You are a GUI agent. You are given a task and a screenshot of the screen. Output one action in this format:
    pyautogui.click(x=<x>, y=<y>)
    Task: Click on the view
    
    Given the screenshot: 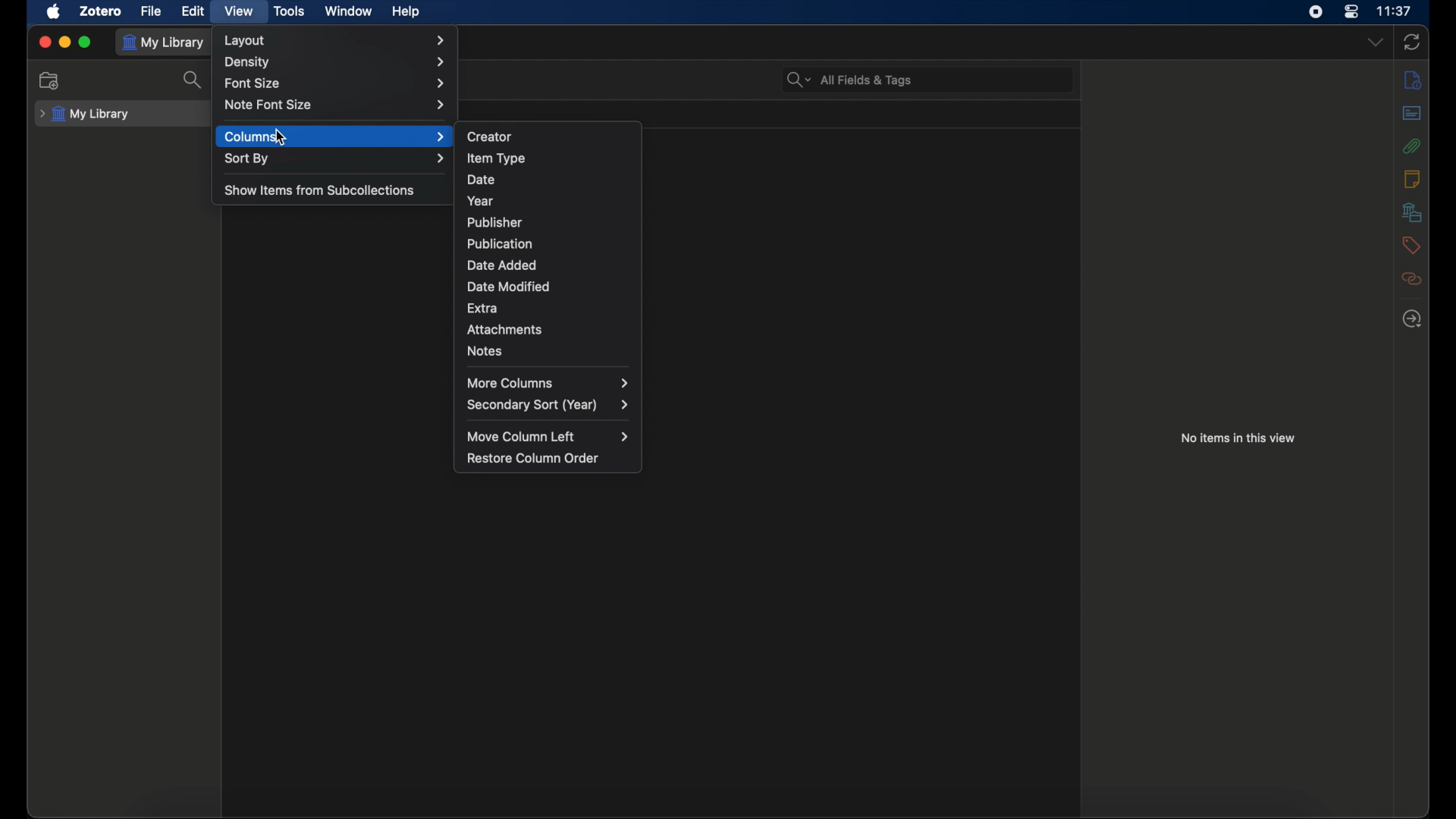 What is the action you would take?
    pyautogui.click(x=241, y=11)
    